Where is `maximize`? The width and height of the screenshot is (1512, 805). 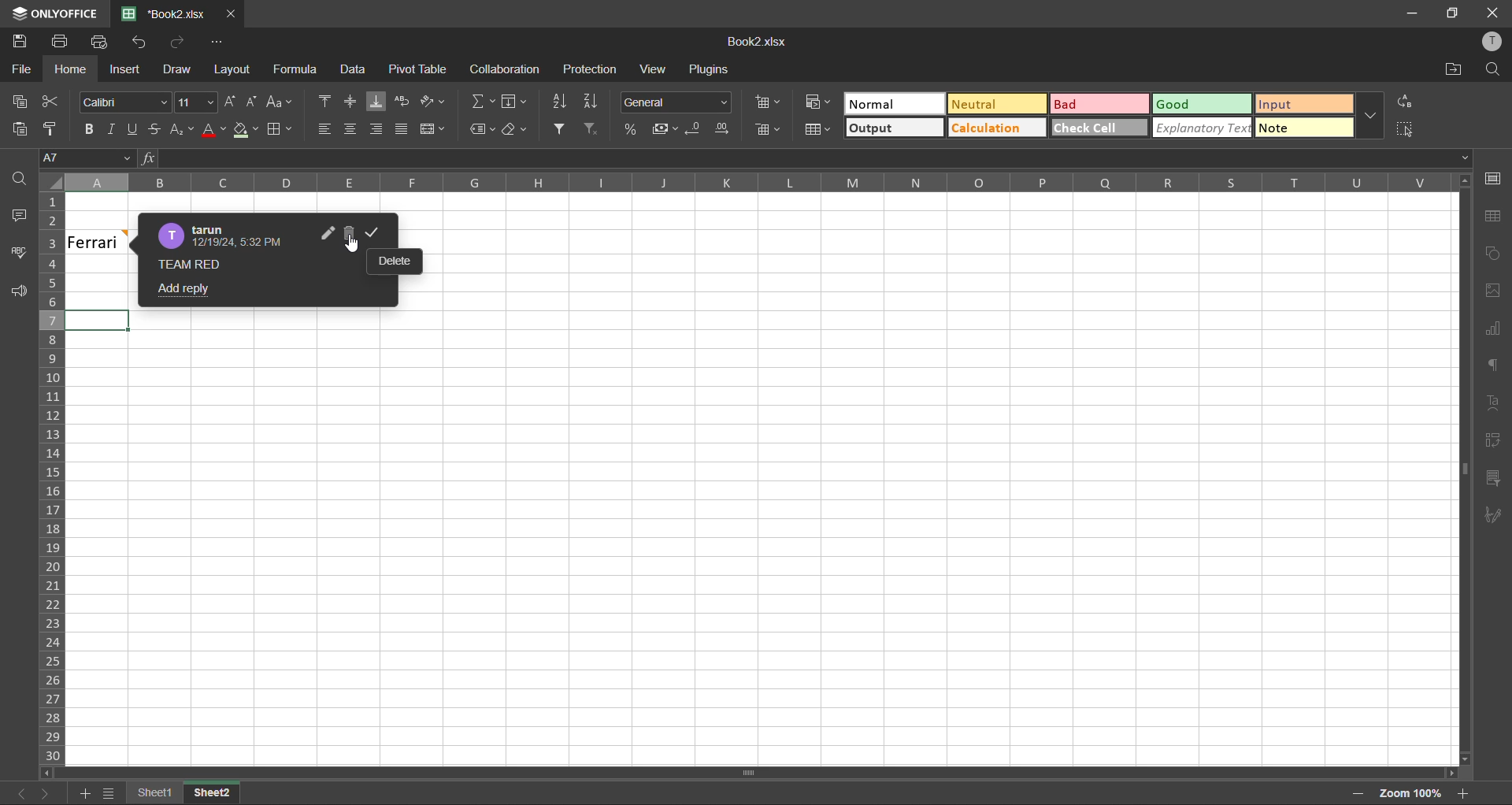 maximize is located at coordinates (1451, 13).